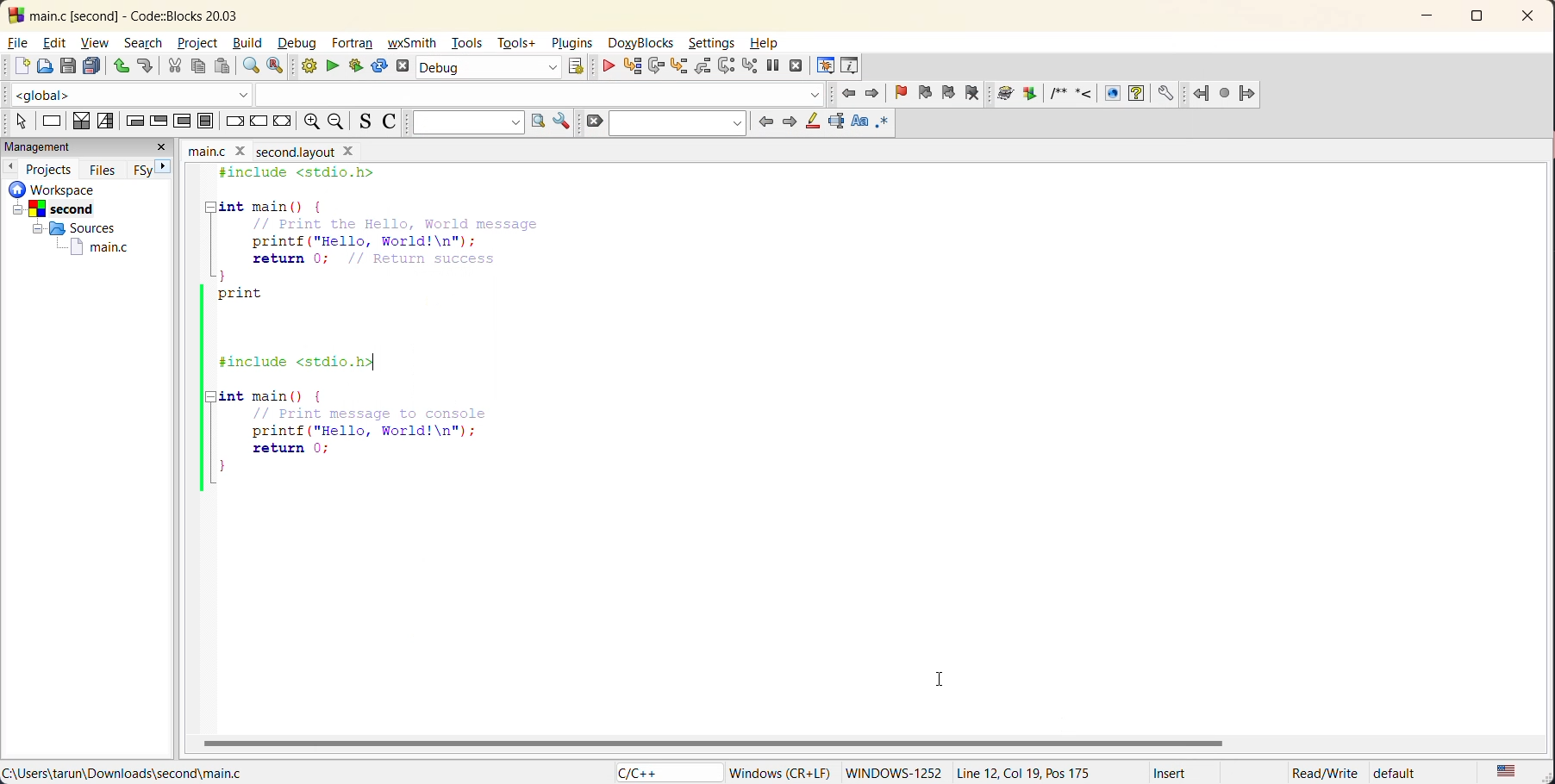 Image resolution: width=1555 pixels, height=784 pixels. I want to click on file name, so click(266, 151).